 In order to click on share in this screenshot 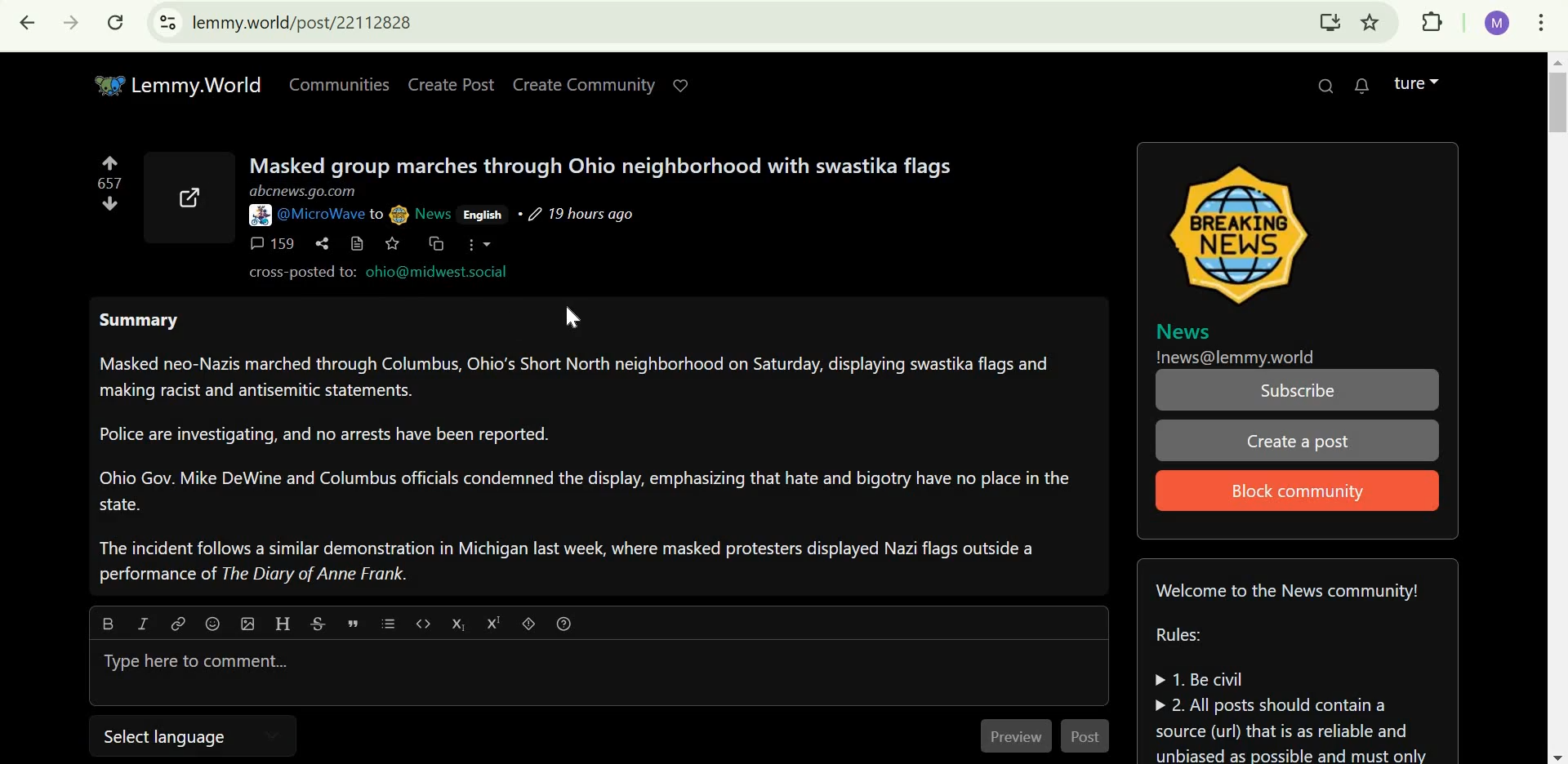, I will do `click(323, 242)`.